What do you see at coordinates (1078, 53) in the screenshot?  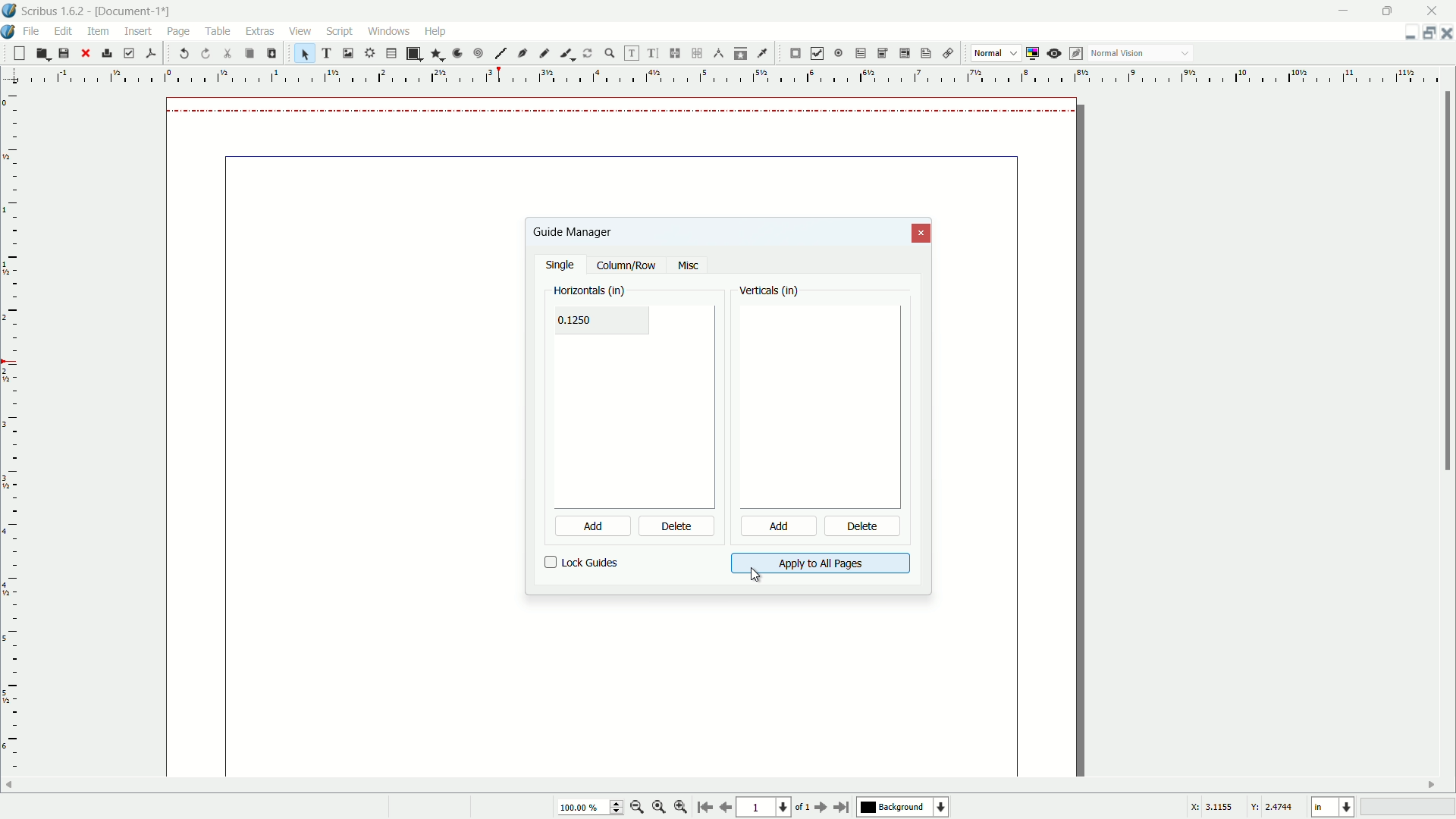 I see `edit in preview mode` at bounding box center [1078, 53].